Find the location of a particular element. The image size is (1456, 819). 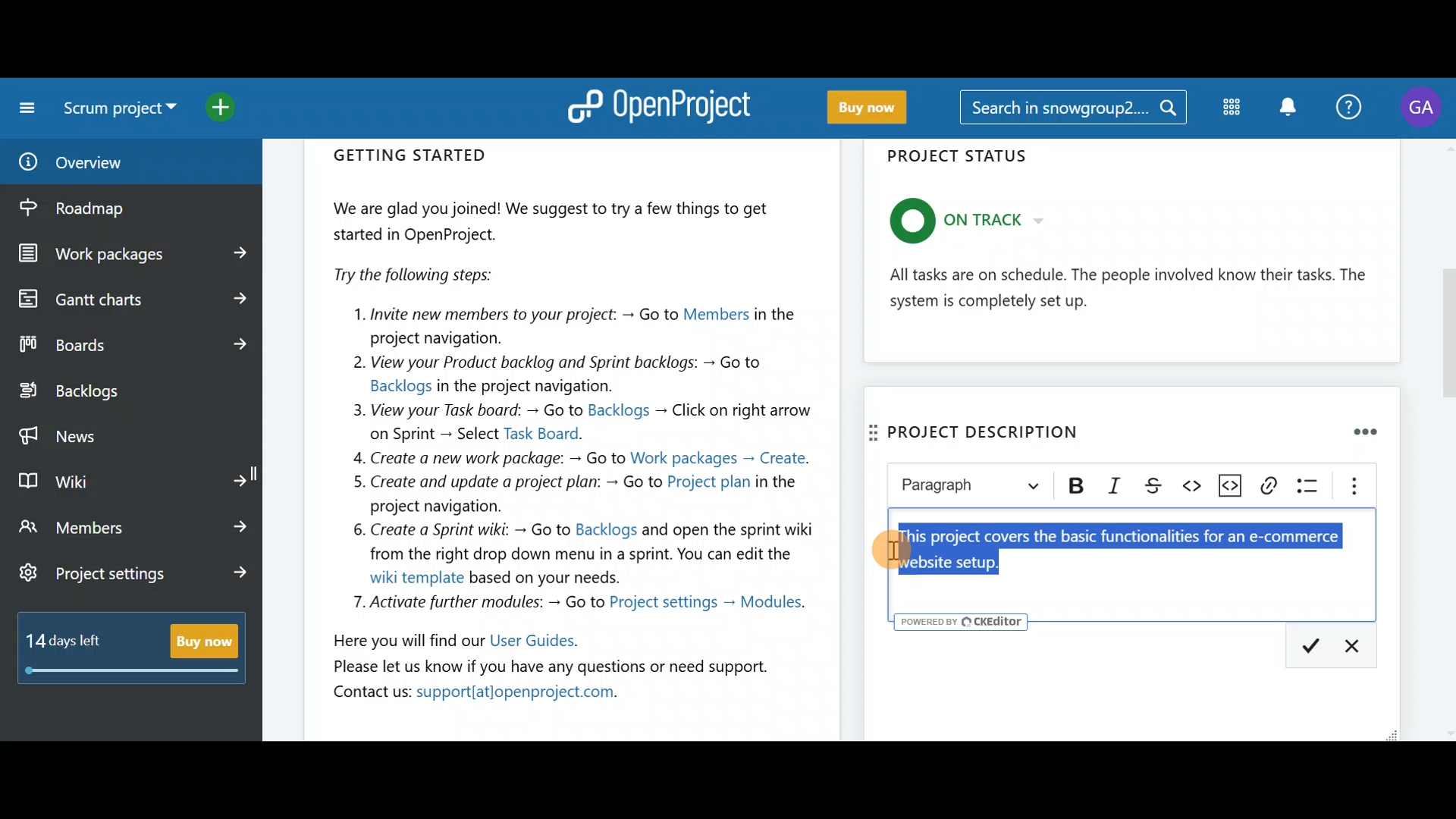

Project descripition is located at coordinates (988, 429).